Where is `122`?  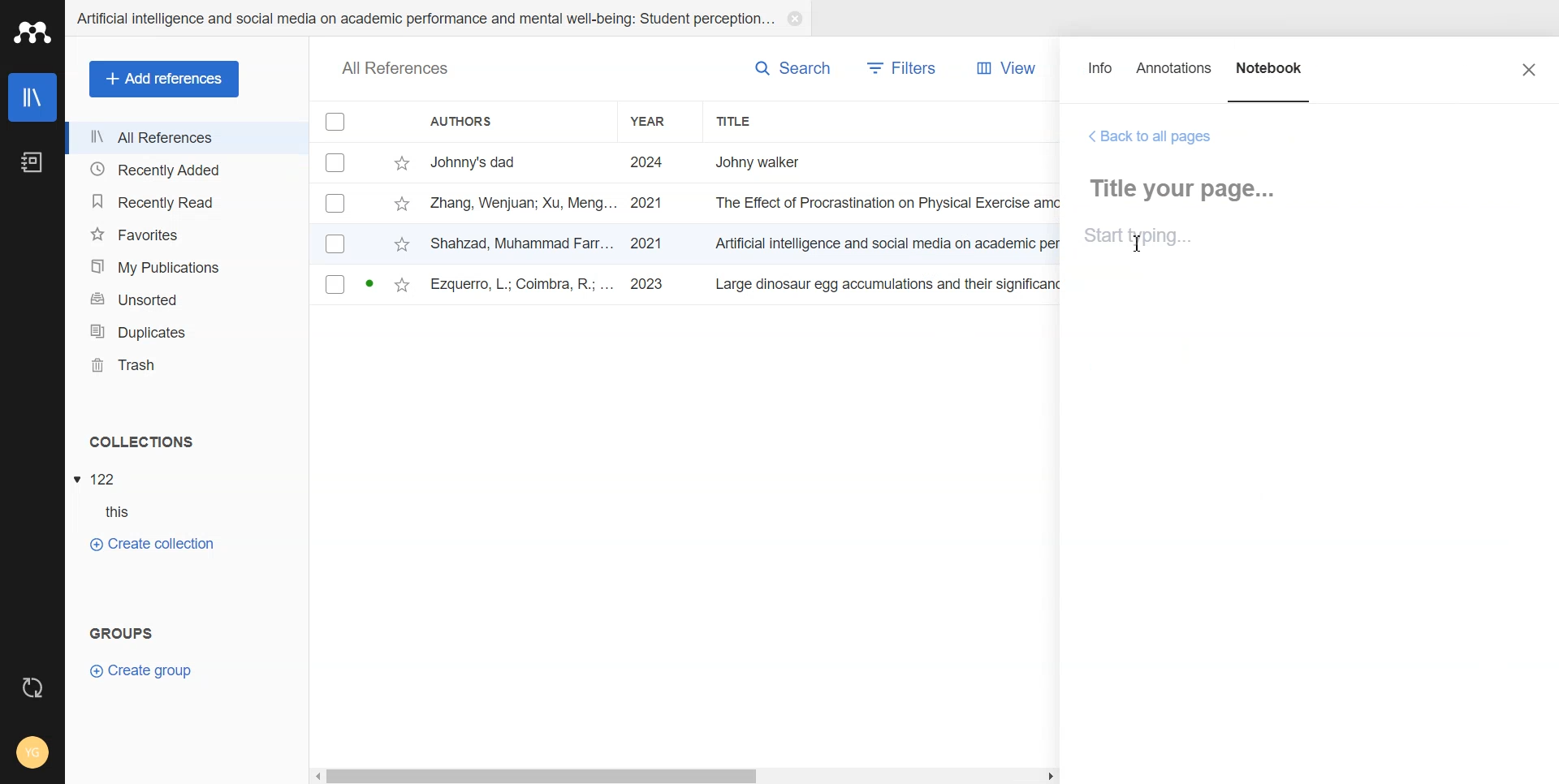
122 is located at coordinates (105, 480).